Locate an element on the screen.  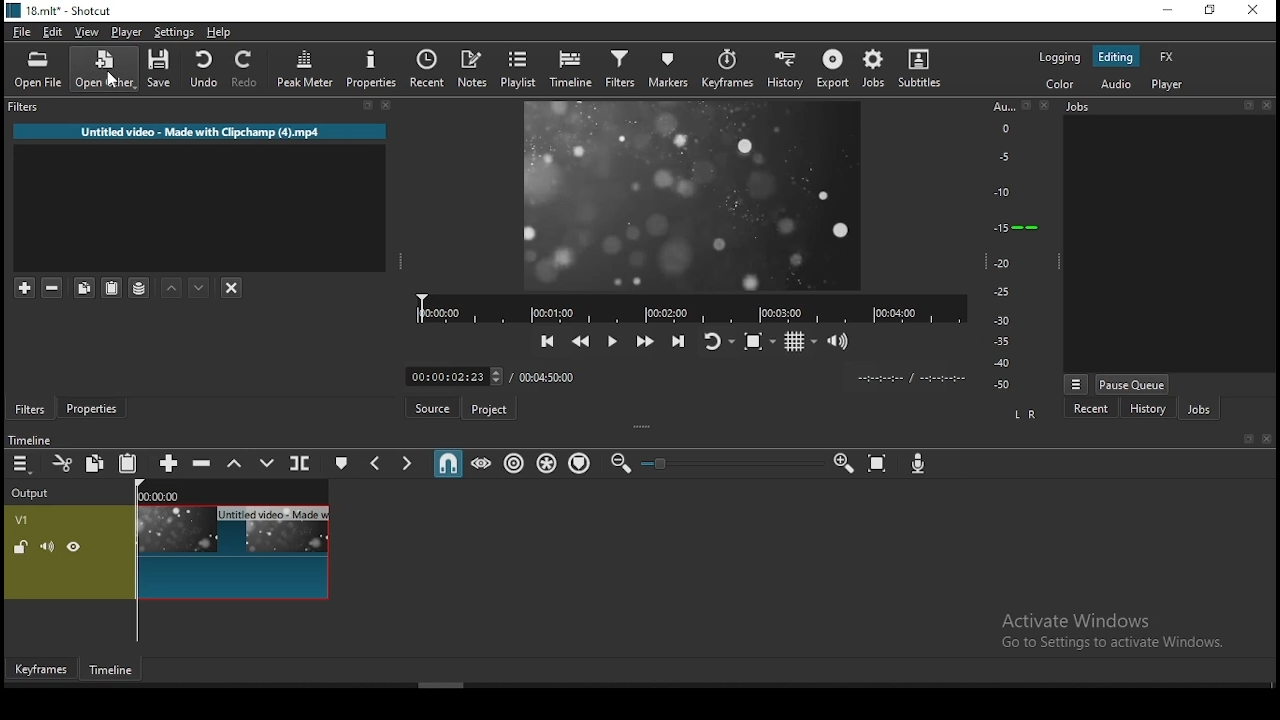
bookmark is located at coordinates (1247, 439).